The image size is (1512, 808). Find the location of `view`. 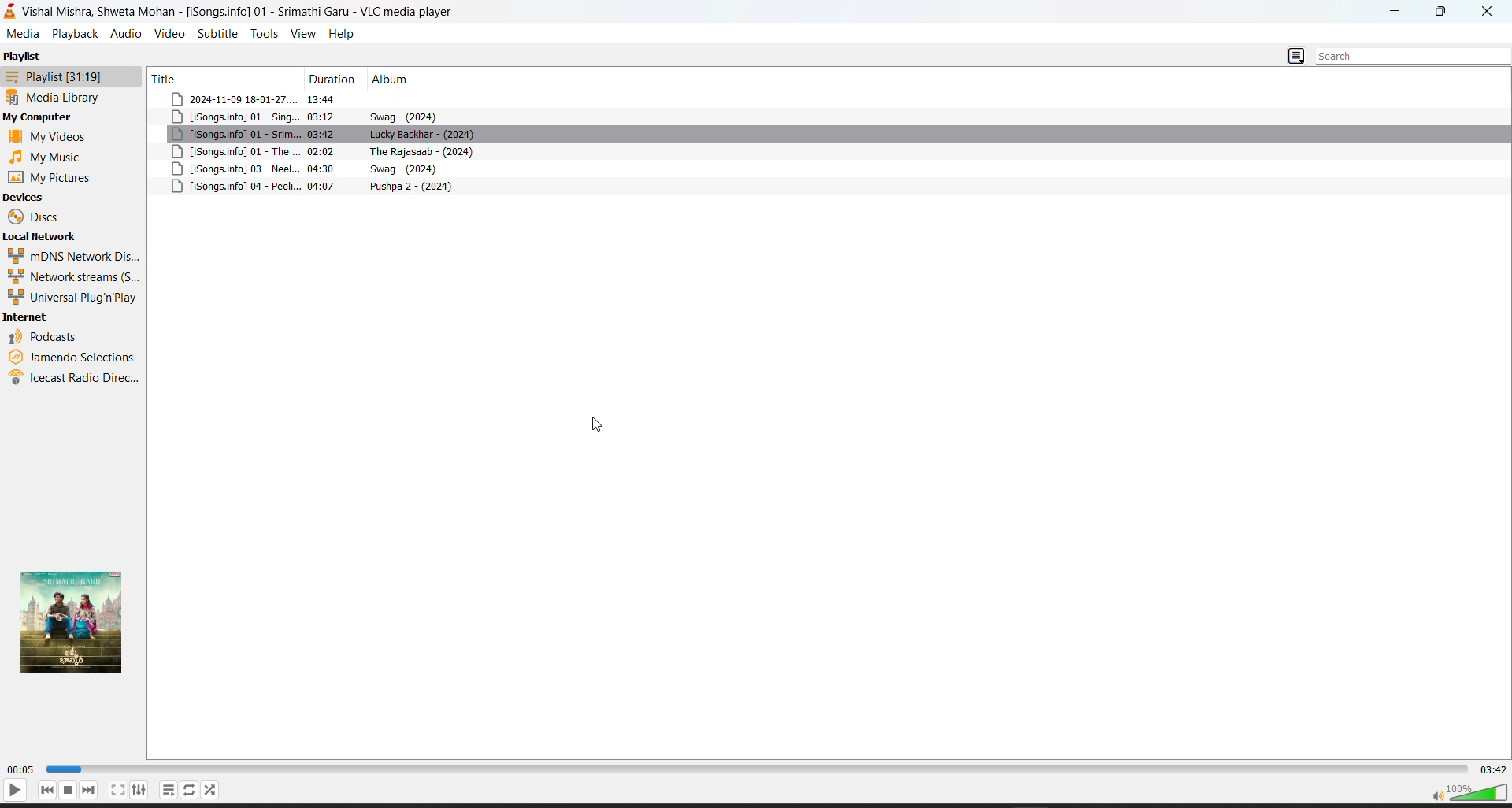

view is located at coordinates (300, 34).